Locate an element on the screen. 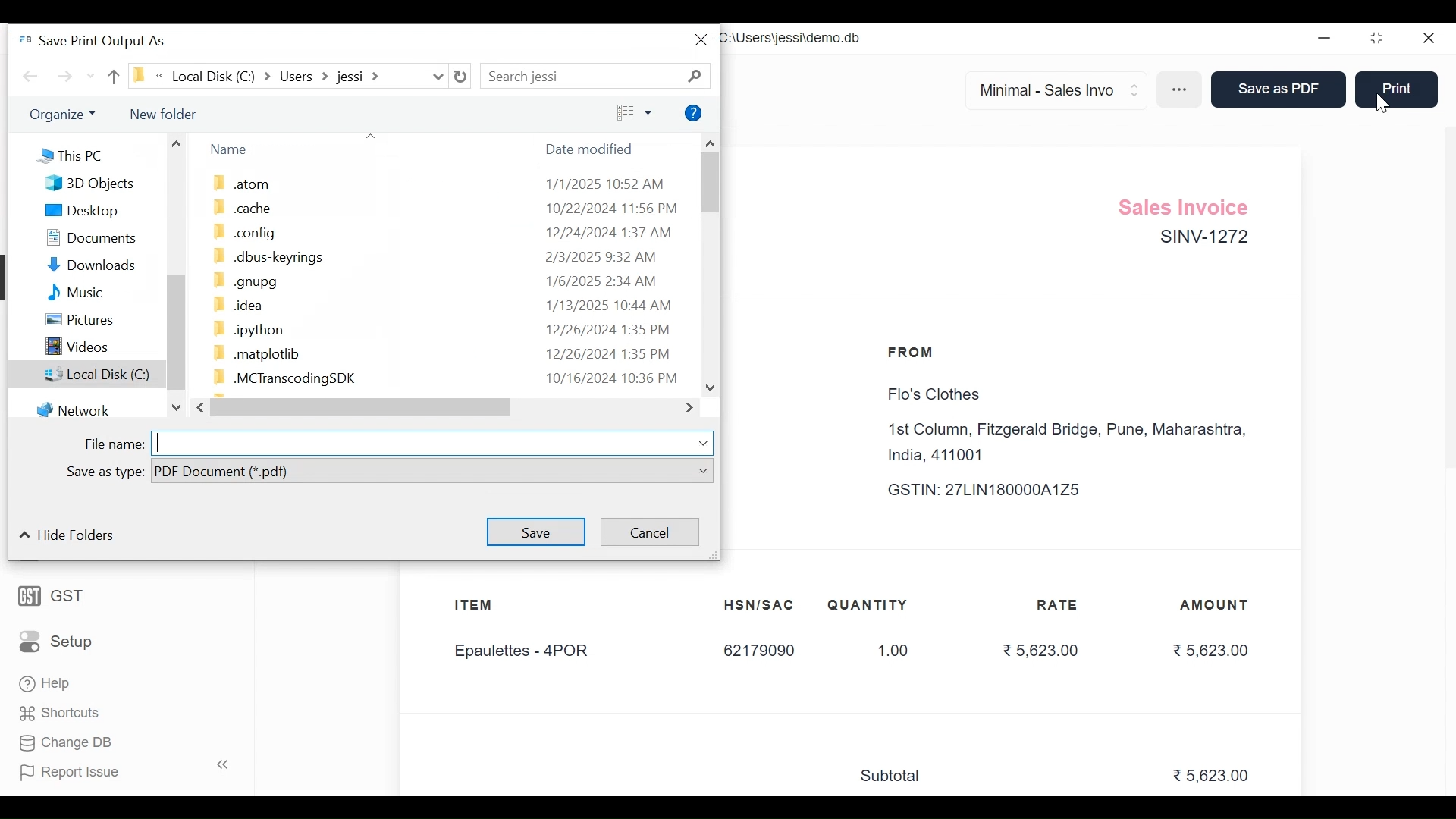 The width and height of the screenshot is (1456, 819). .ipython is located at coordinates (256, 329).